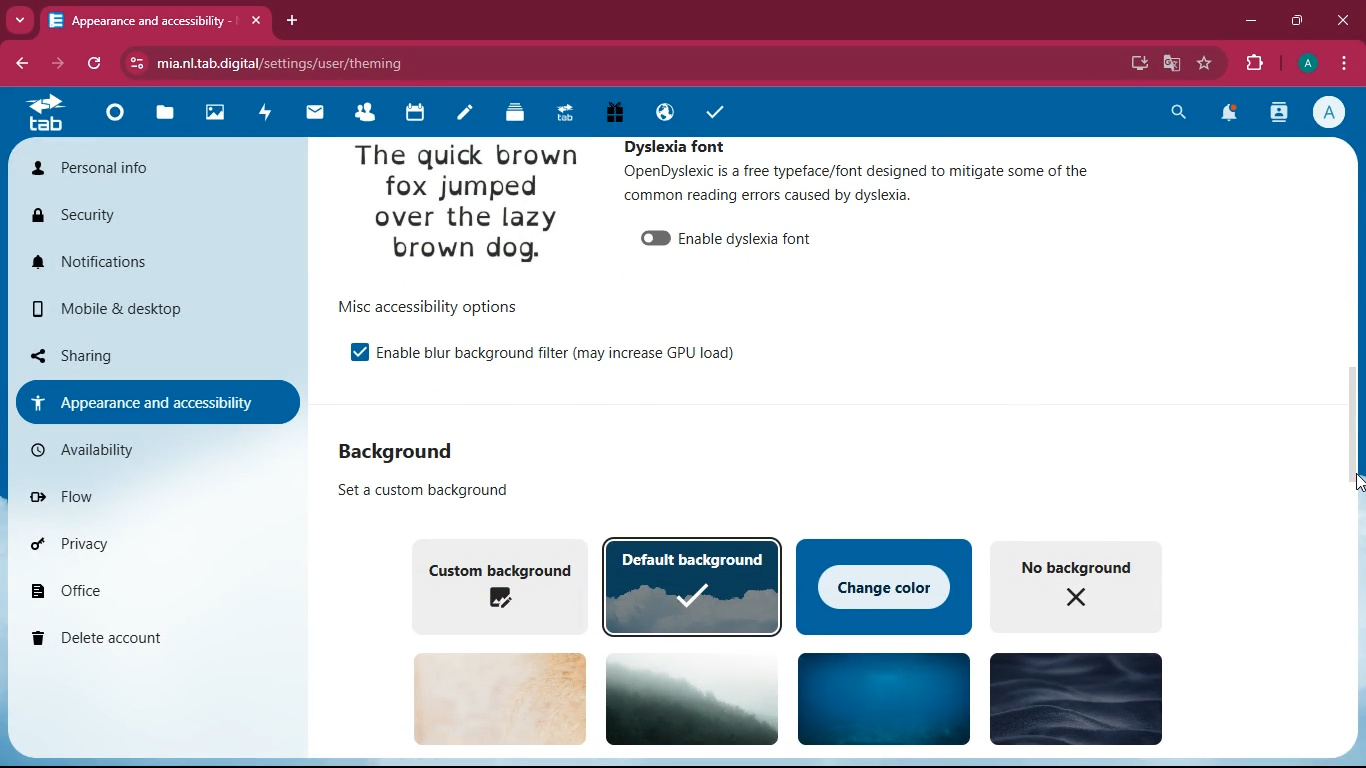 This screenshot has height=768, width=1366. Describe the element at coordinates (1281, 112) in the screenshot. I see `activity` at that location.